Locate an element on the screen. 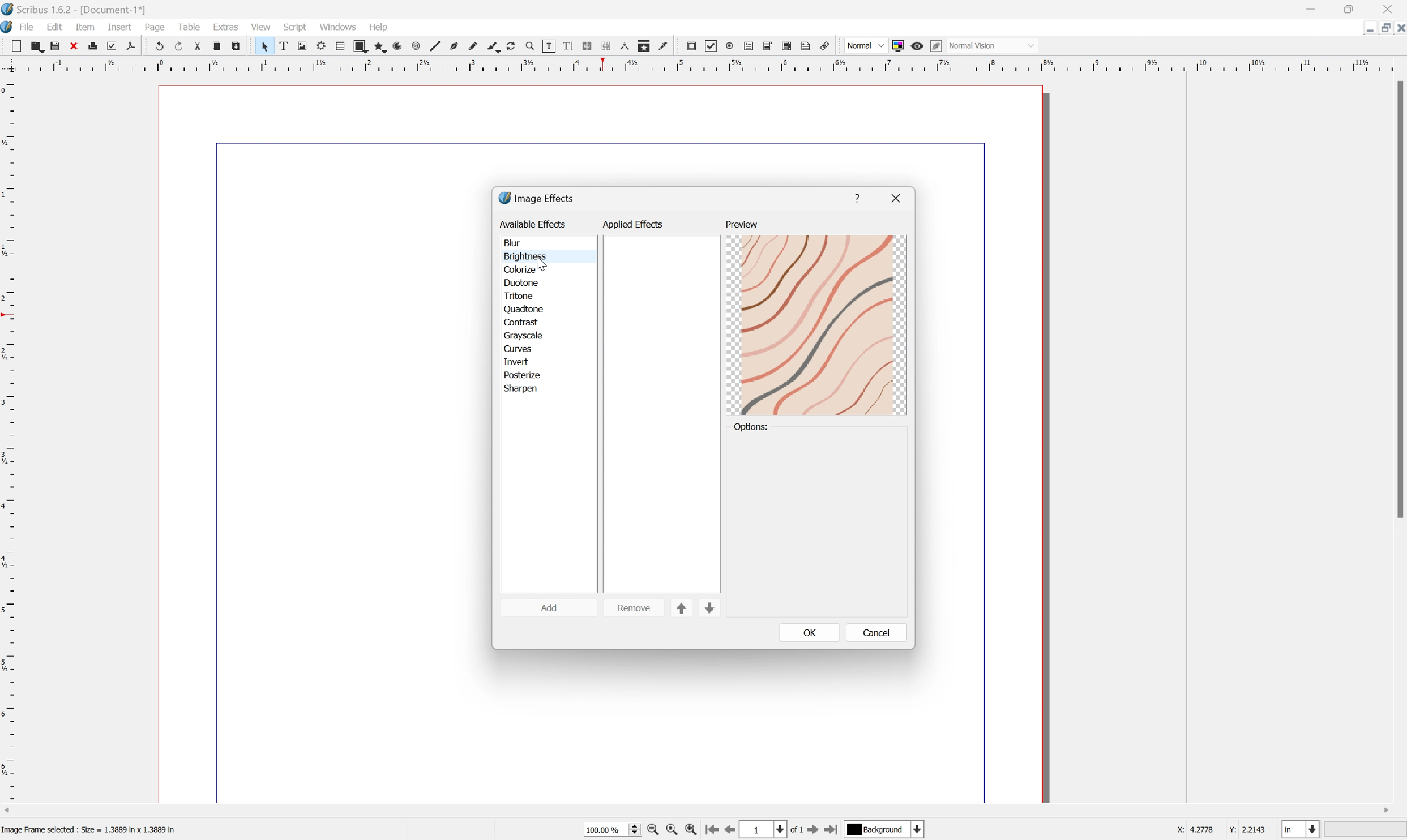 The image size is (1407, 840). Table is located at coordinates (340, 46).